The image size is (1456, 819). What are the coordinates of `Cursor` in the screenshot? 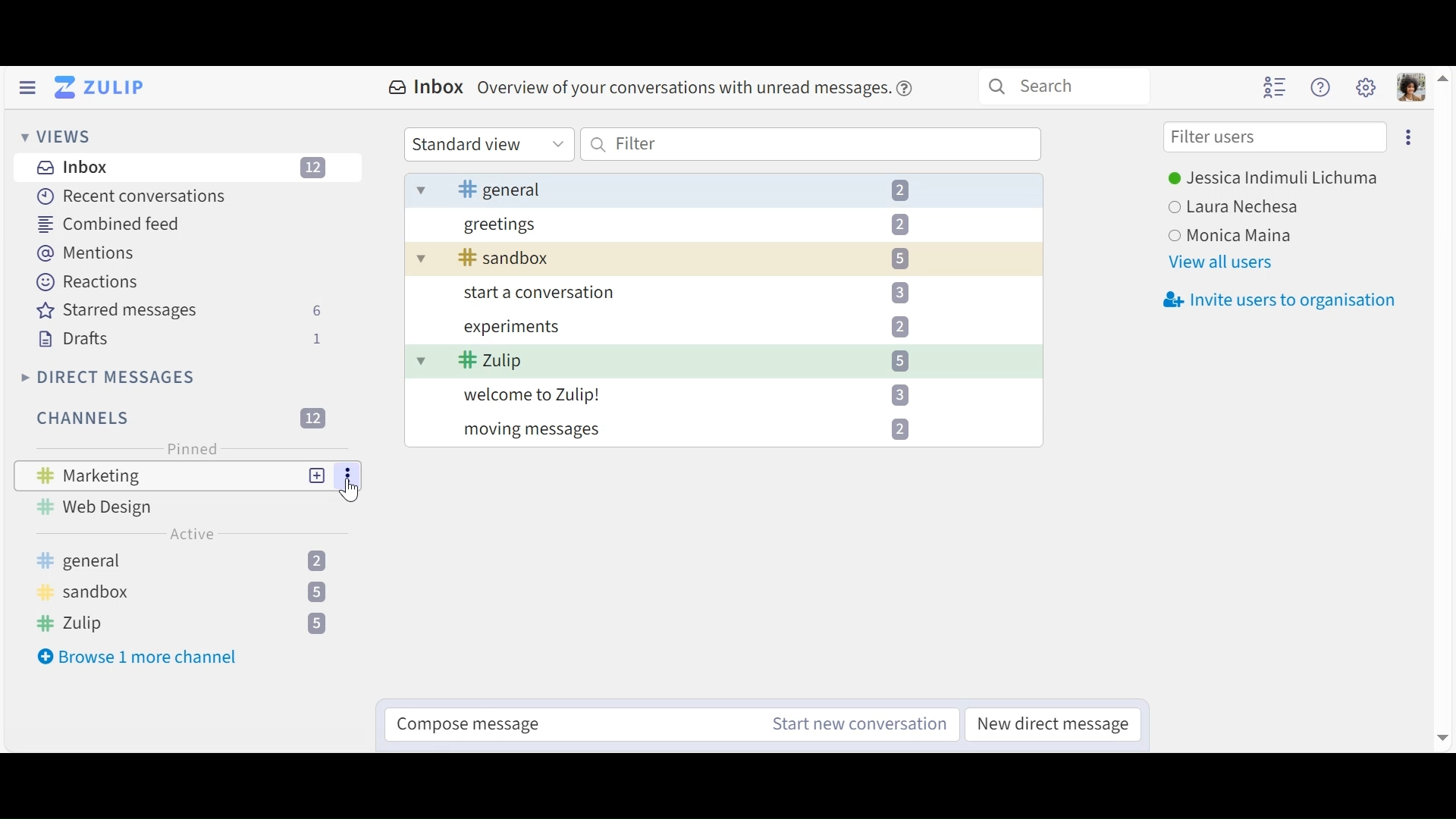 It's located at (352, 493).